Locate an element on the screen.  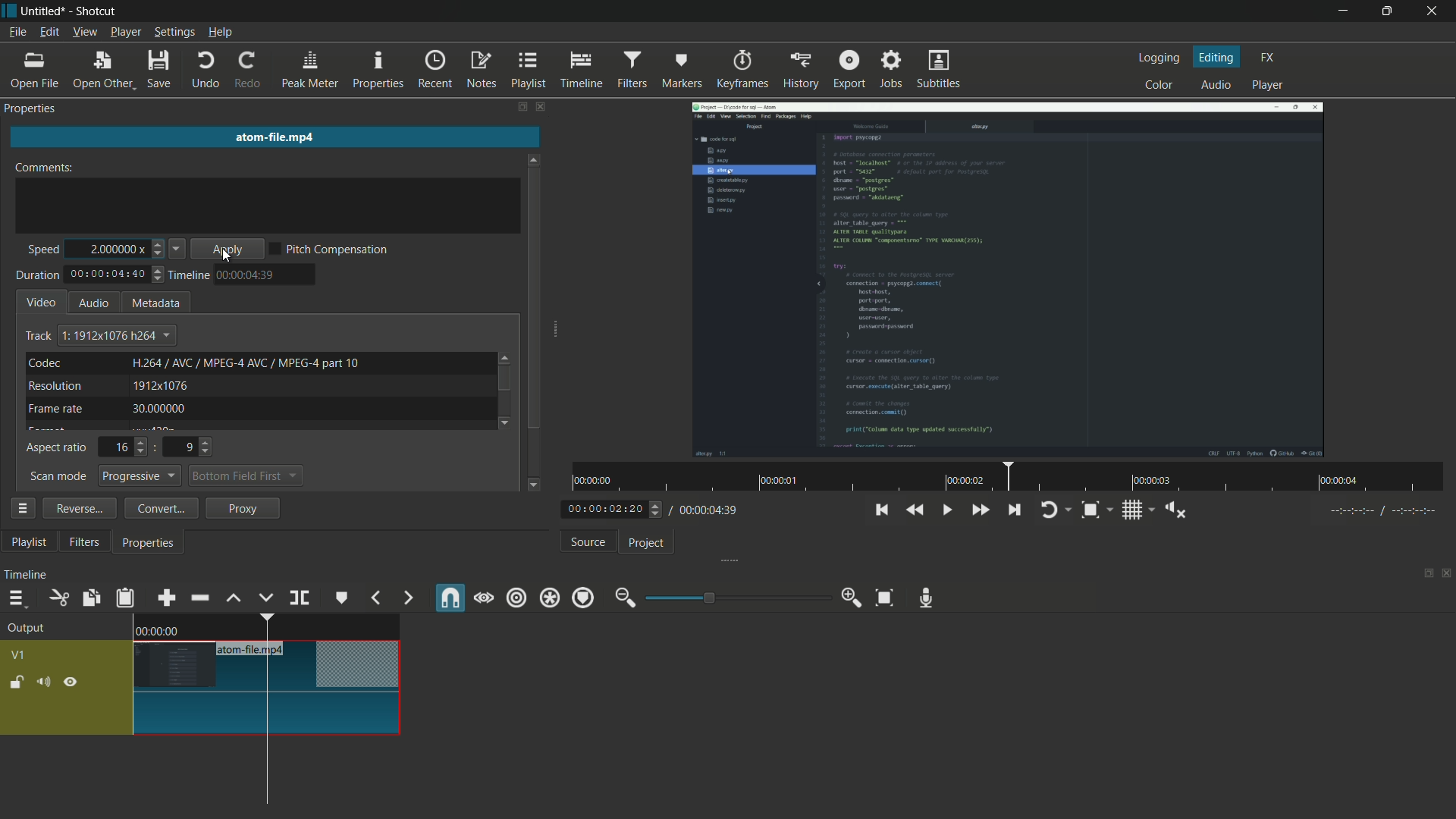
scrub while dragging is located at coordinates (483, 599).